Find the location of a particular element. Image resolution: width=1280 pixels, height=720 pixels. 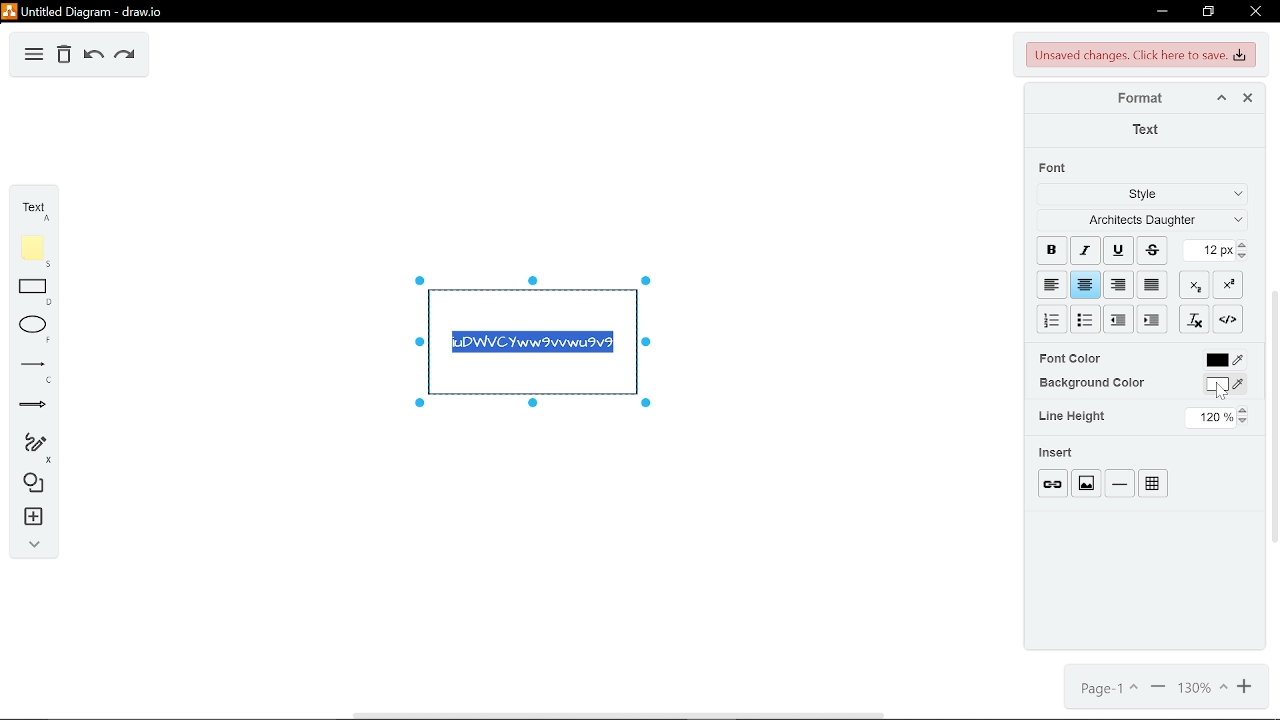

format is located at coordinates (1133, 98).